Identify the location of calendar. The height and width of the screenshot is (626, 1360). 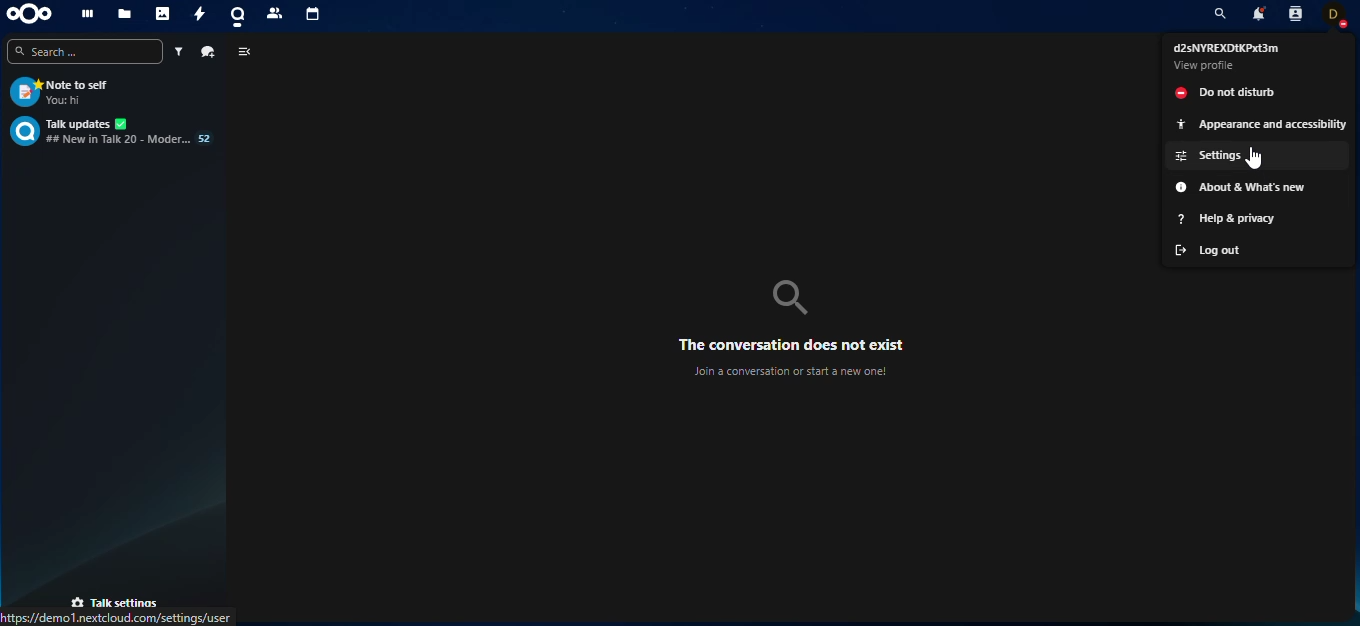
(314, 17).